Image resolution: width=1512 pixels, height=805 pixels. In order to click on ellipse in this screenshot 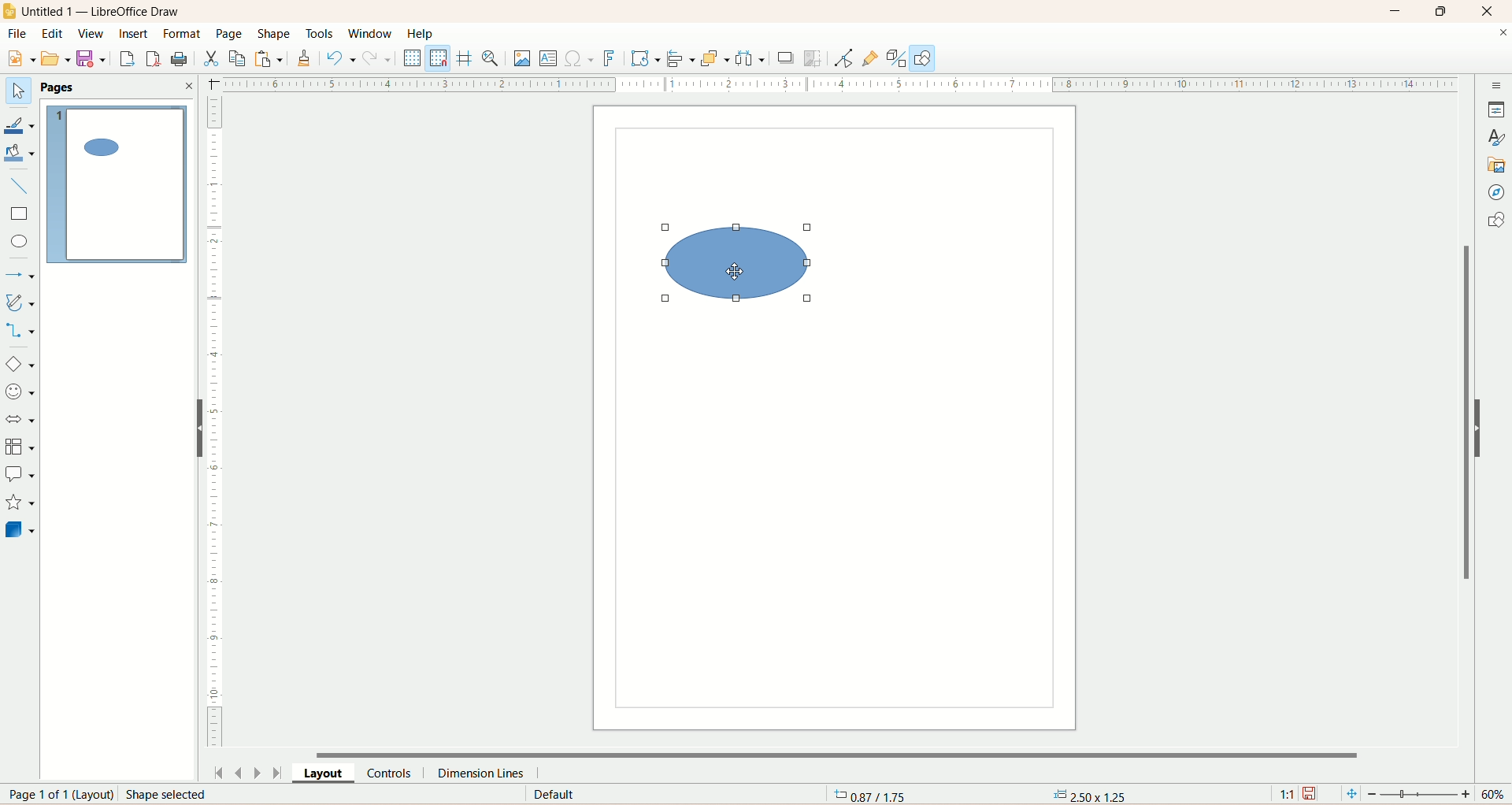, I will do `click(19, 240)`.